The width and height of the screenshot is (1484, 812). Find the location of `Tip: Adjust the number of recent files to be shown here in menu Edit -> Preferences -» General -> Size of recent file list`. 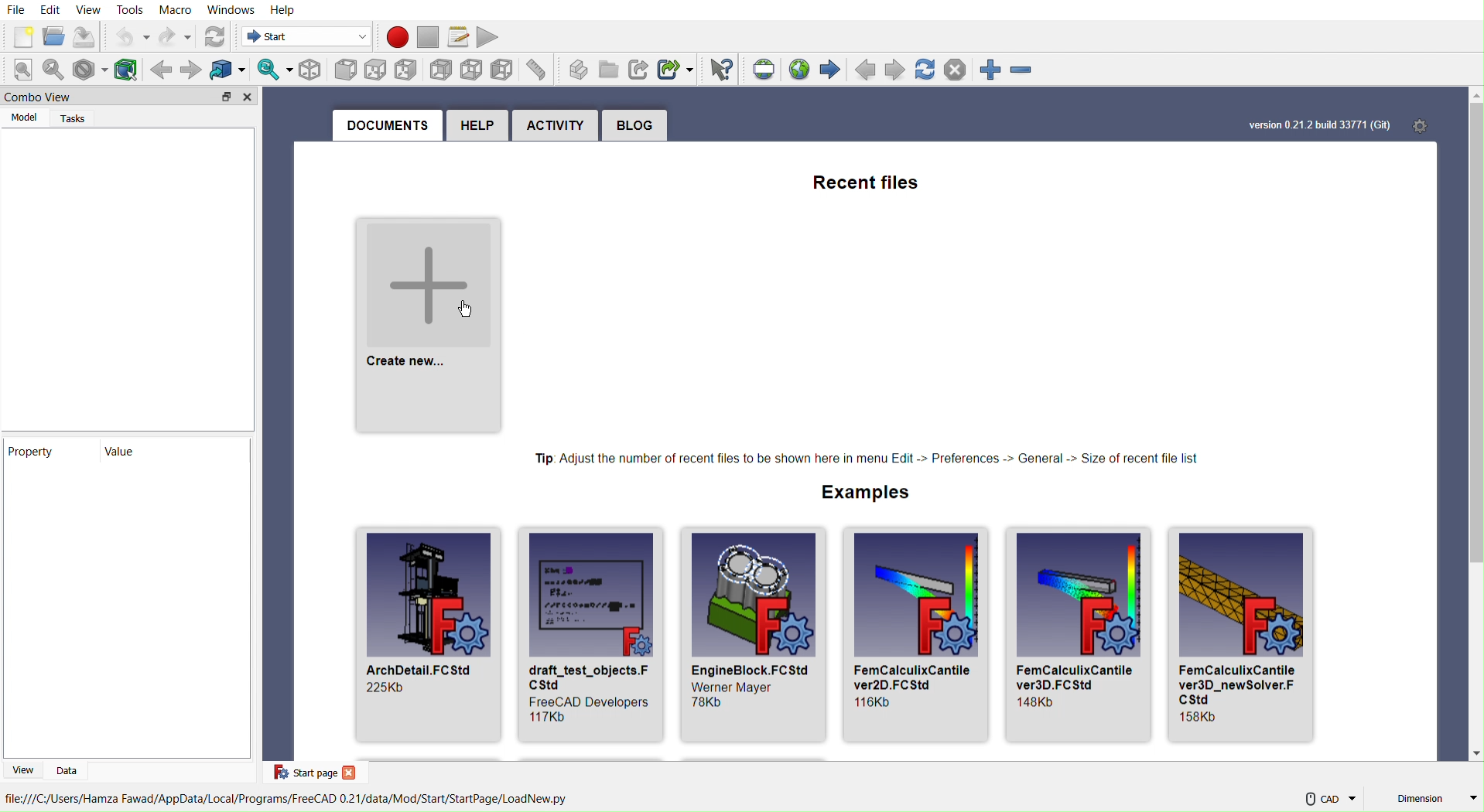

Tip: Adjust the number of recent files to be shown here in menu Edit -> Preferences -» General -> Size of recent file list is located at coordinates (866, 456).